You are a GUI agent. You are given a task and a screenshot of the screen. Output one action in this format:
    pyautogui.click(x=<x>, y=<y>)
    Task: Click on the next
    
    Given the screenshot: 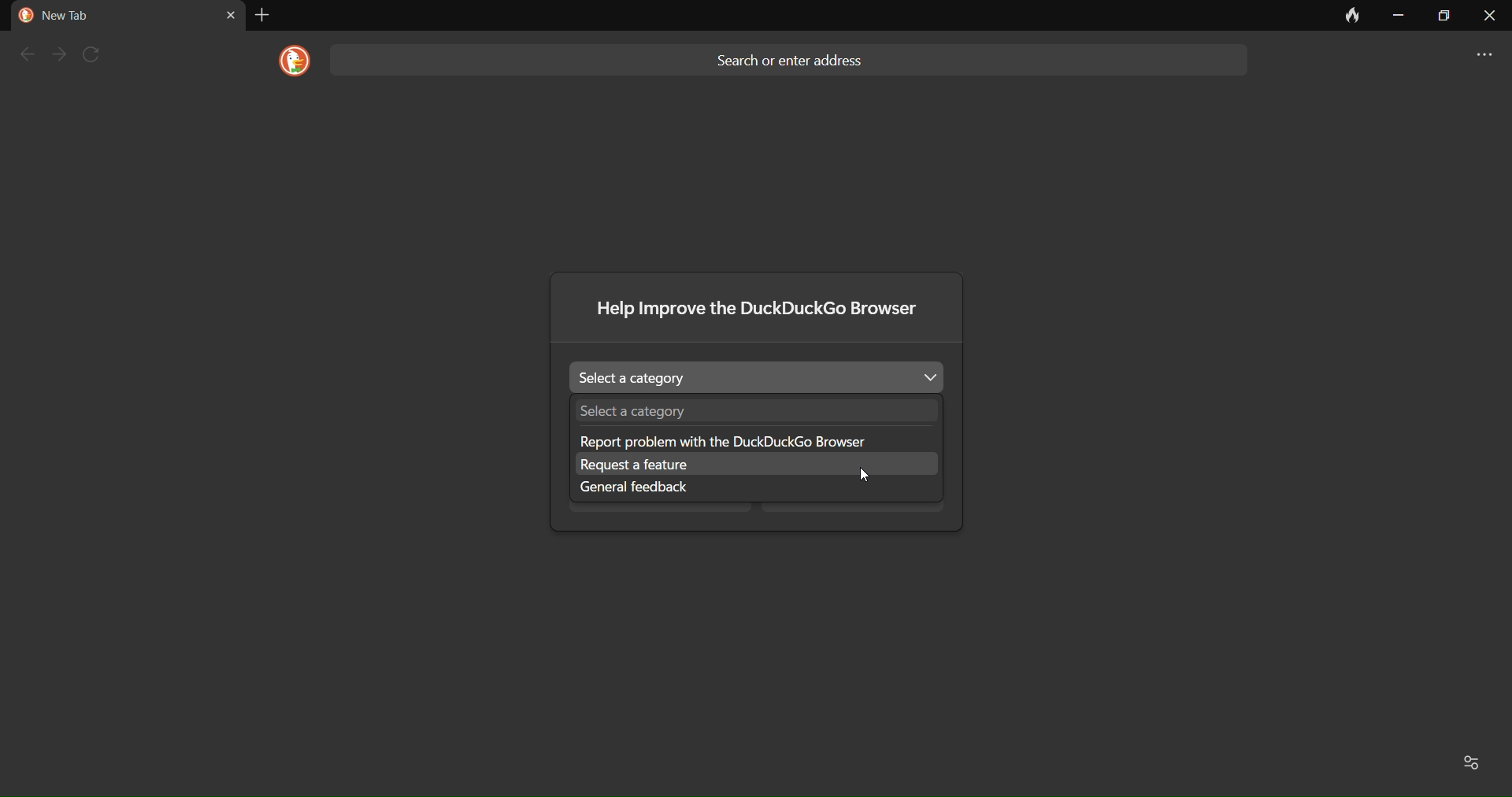 What is the action you would take?
    pyautogui.click(x=61, y=54)
    